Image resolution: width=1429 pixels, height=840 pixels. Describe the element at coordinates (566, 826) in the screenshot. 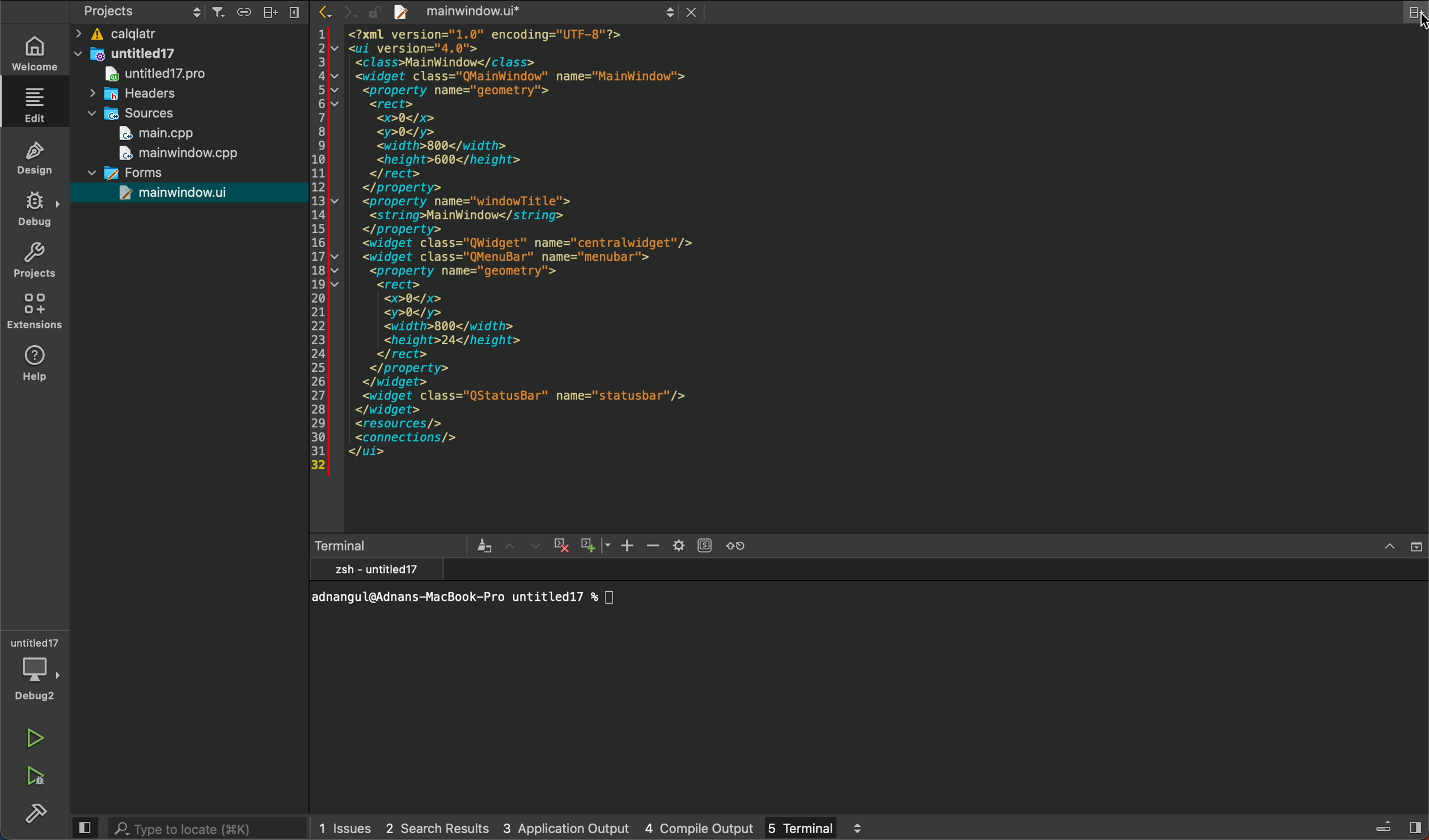

I see `application output` at that location.